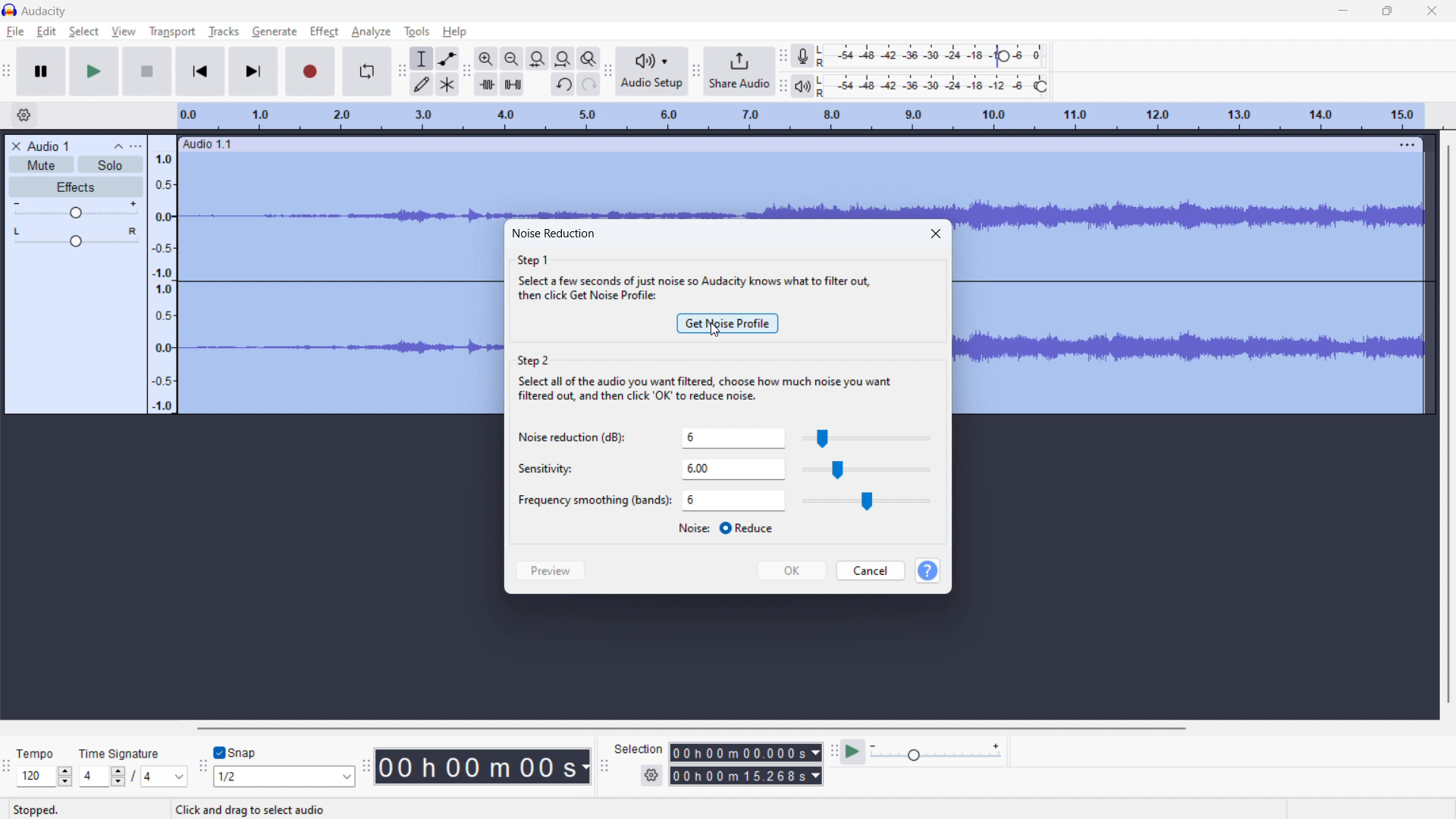  Describe the element at coordinates (554, 232) in the screenshot. I see `noise reduction dialogbox` at that location.